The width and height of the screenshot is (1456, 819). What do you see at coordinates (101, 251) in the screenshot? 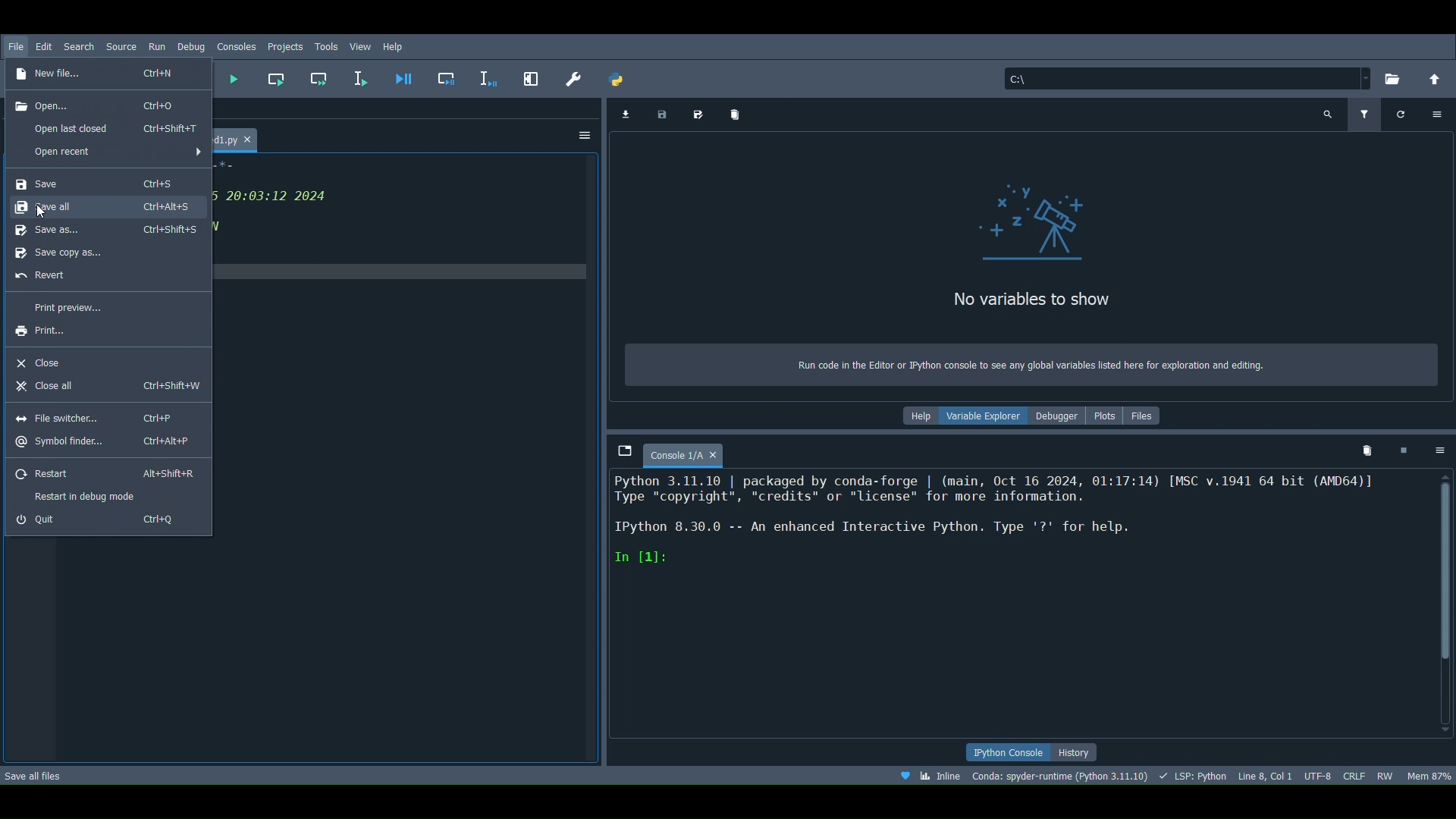
I see `Save copy as` at bounding box center [101, 251].